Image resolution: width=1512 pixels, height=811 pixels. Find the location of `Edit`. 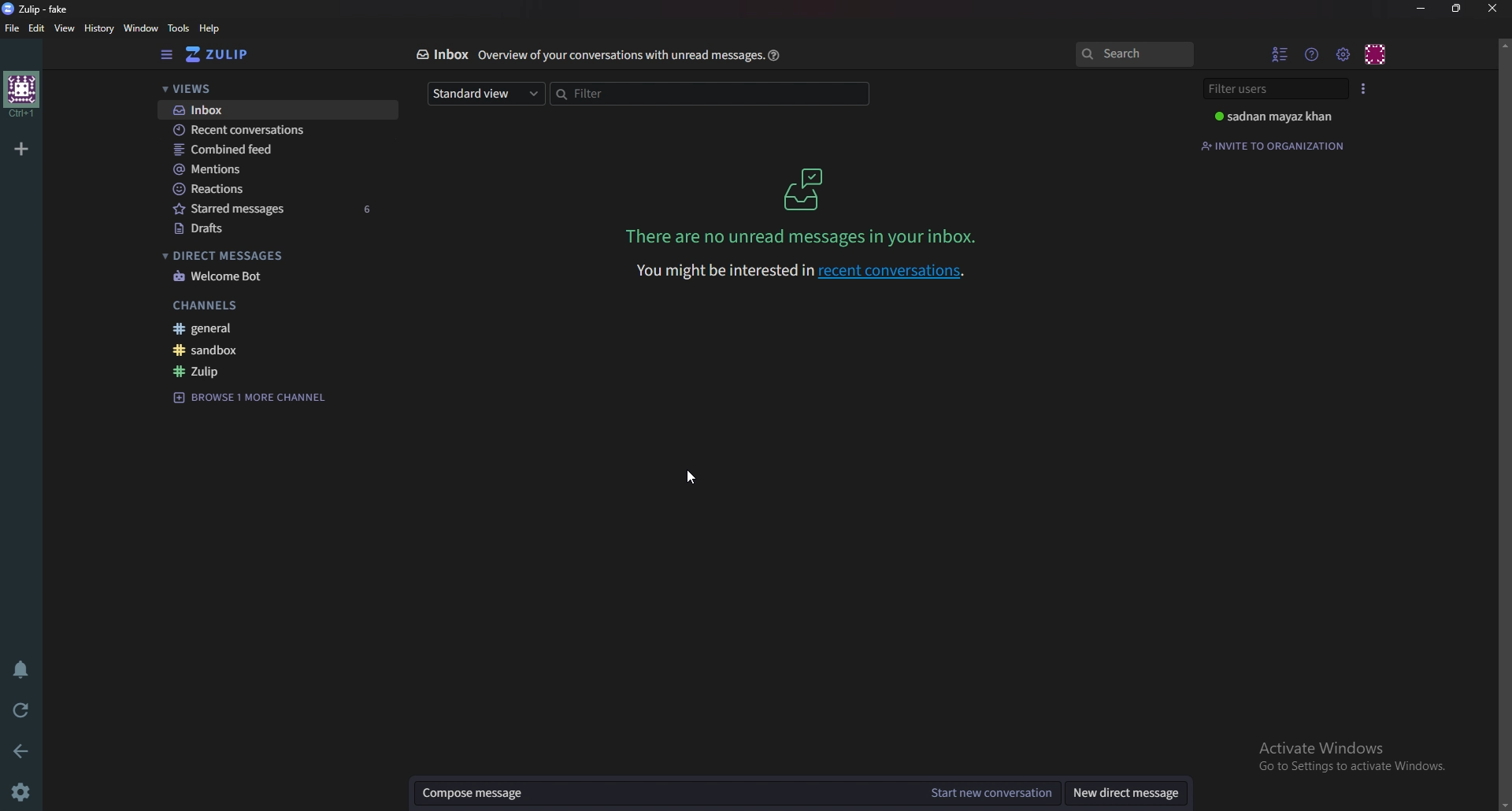

Edit is located at coordinates (38, 29).